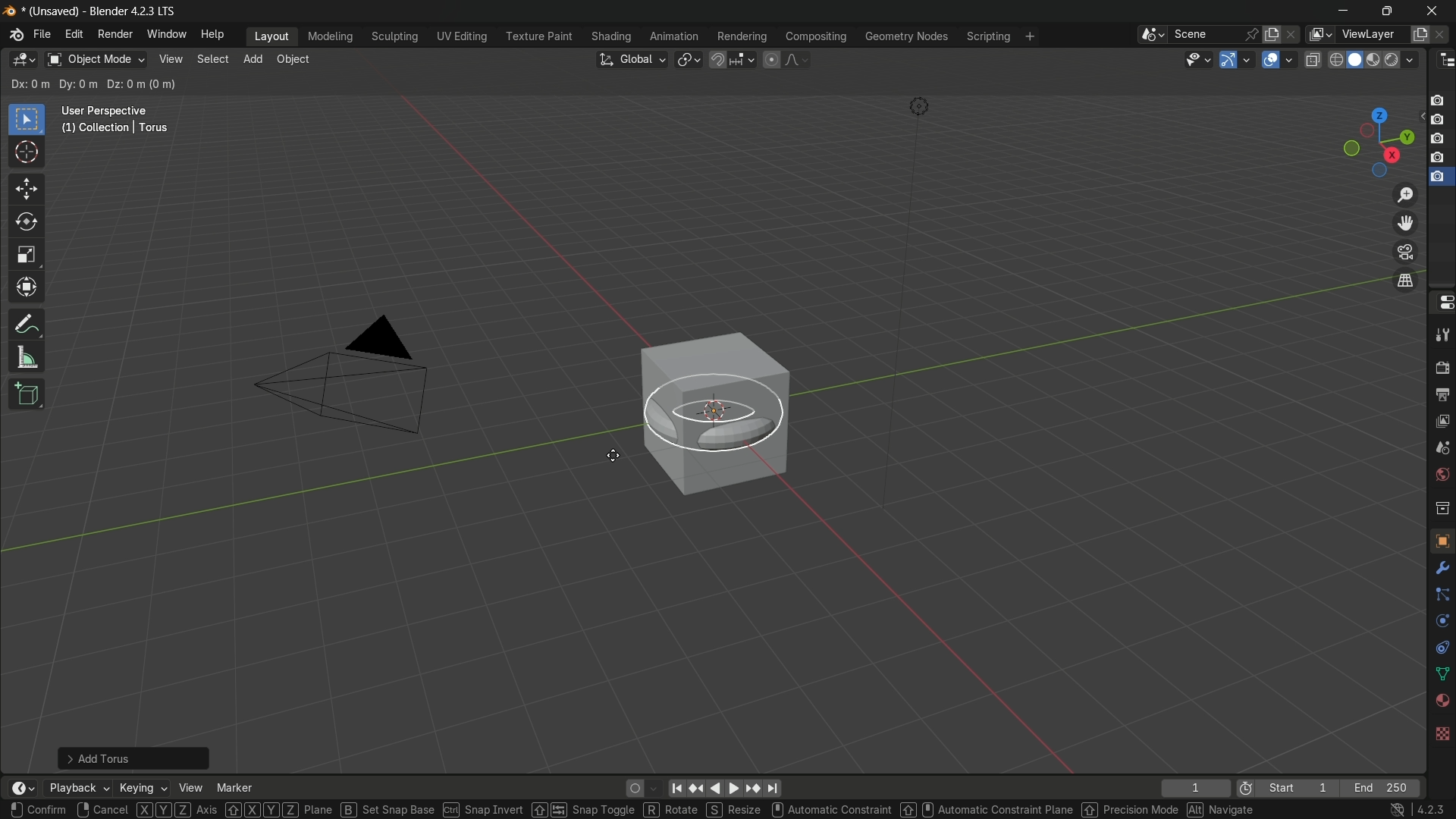 Image resolution: width=1456 pixels, height=819 pixels. I want to click on icon, so click(1246, 790).